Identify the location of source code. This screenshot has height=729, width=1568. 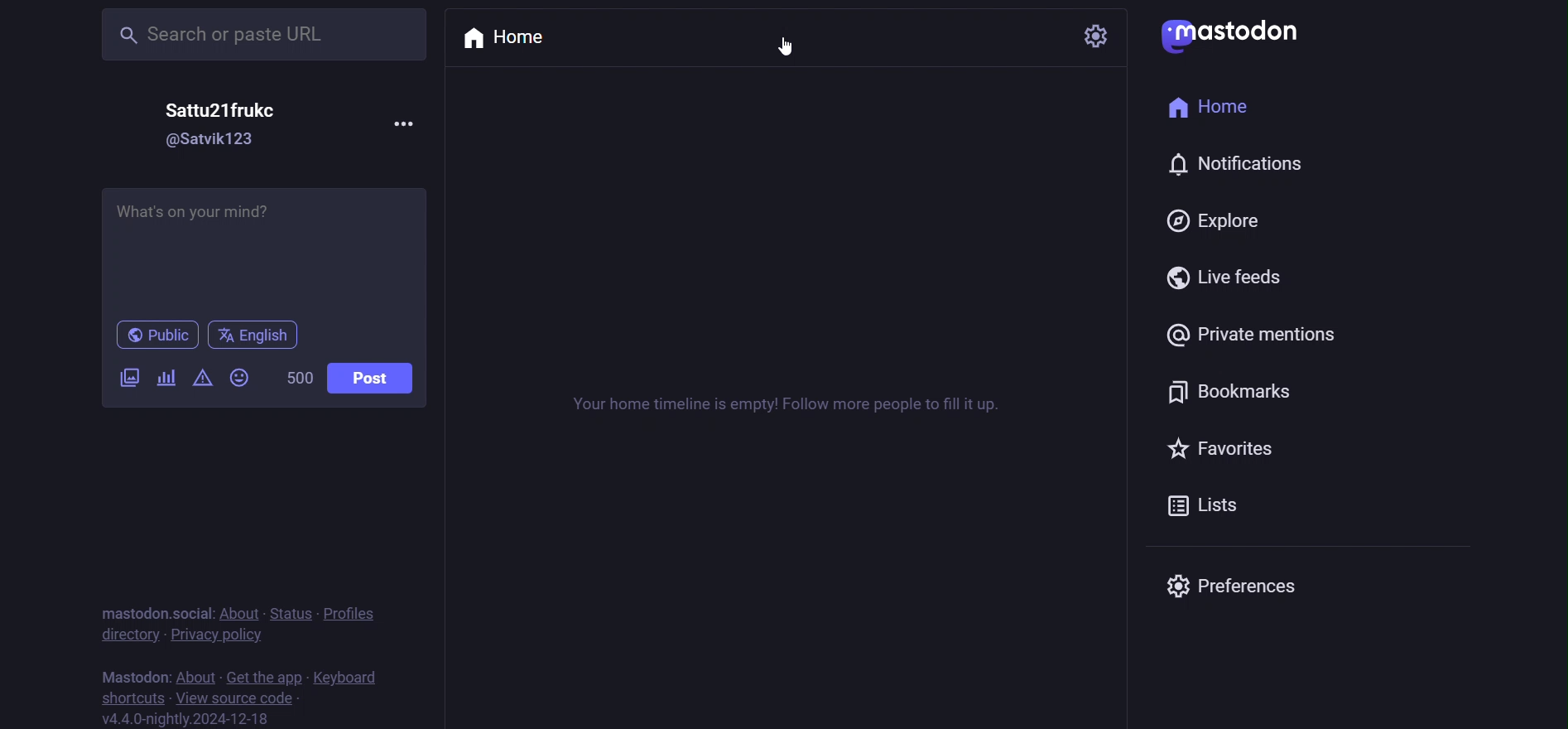
(243, 698).